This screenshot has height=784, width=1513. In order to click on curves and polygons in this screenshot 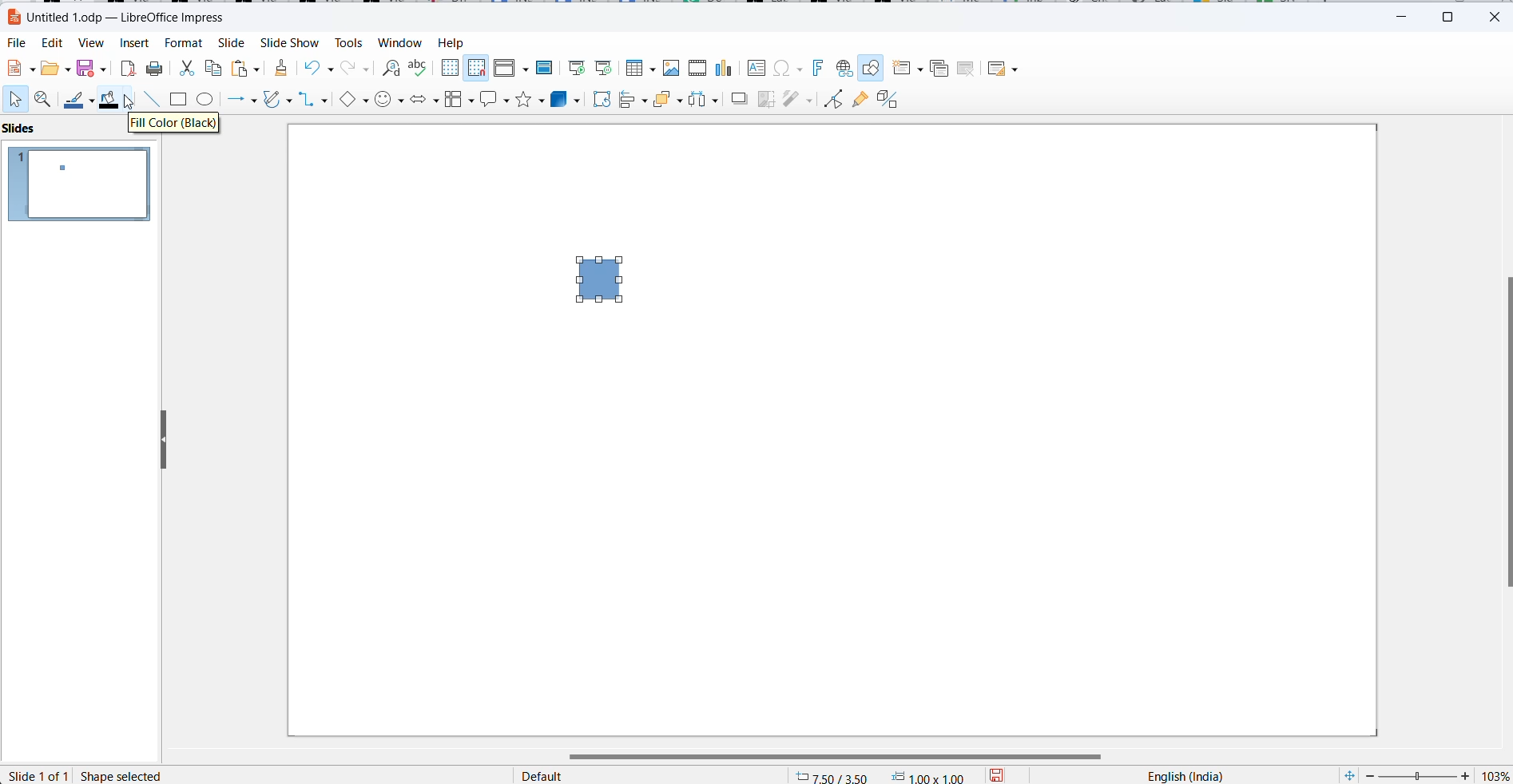, I will do `click(276, 101)`.